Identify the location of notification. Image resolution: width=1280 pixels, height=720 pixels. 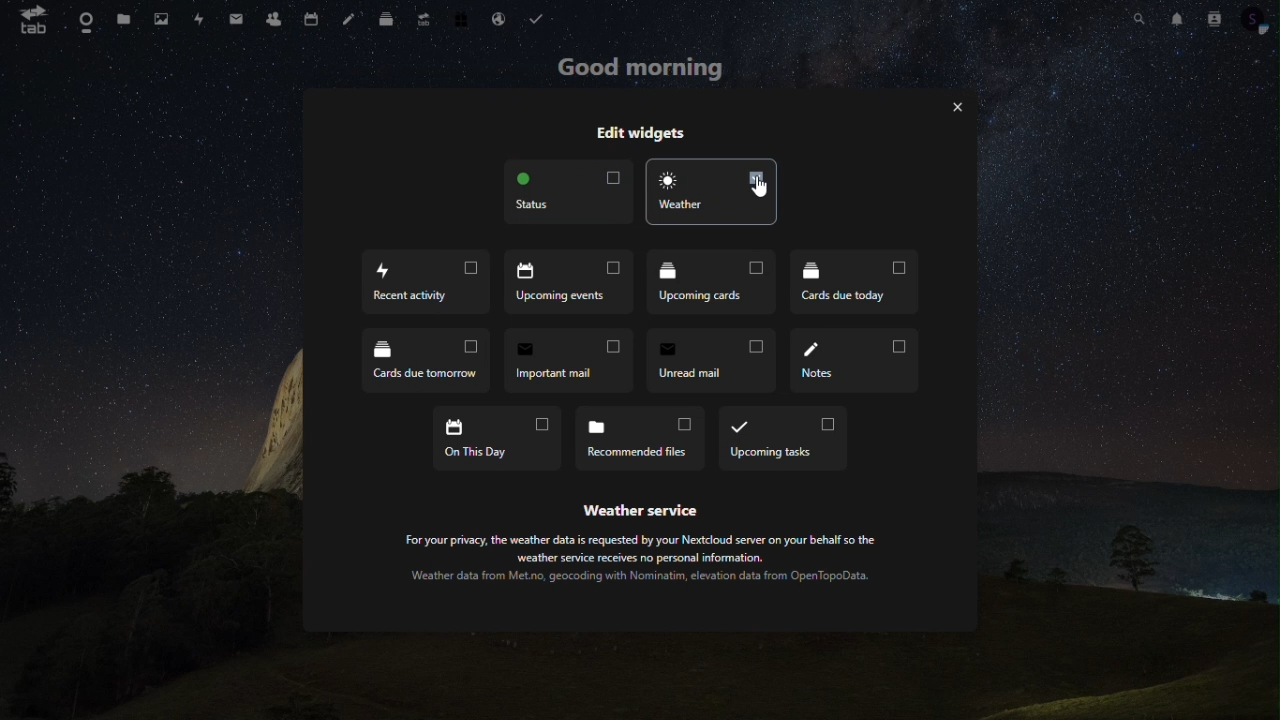
(1175, 16).